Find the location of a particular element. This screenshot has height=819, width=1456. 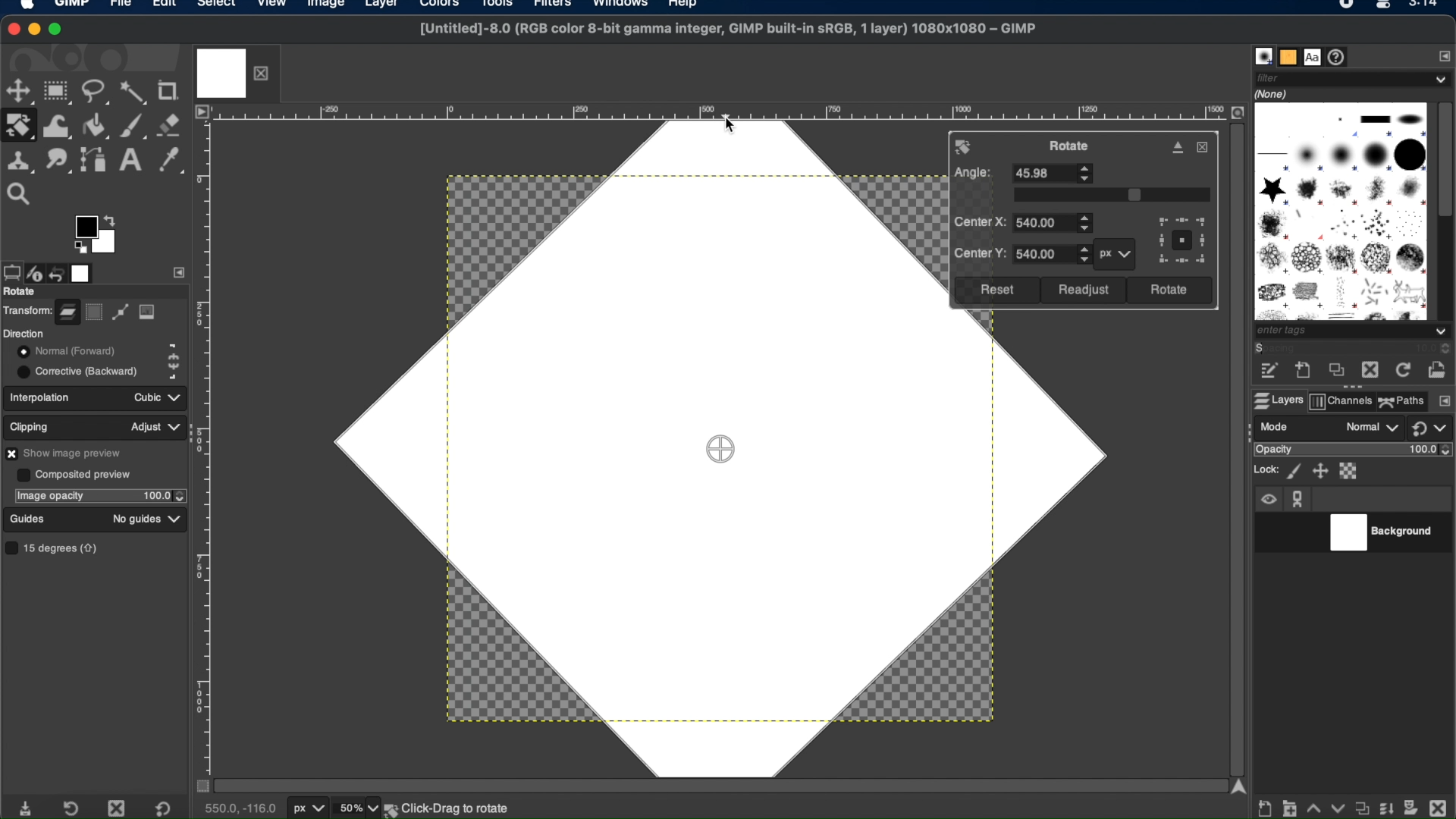

normal drop down is located at coordinates (1370, 428).